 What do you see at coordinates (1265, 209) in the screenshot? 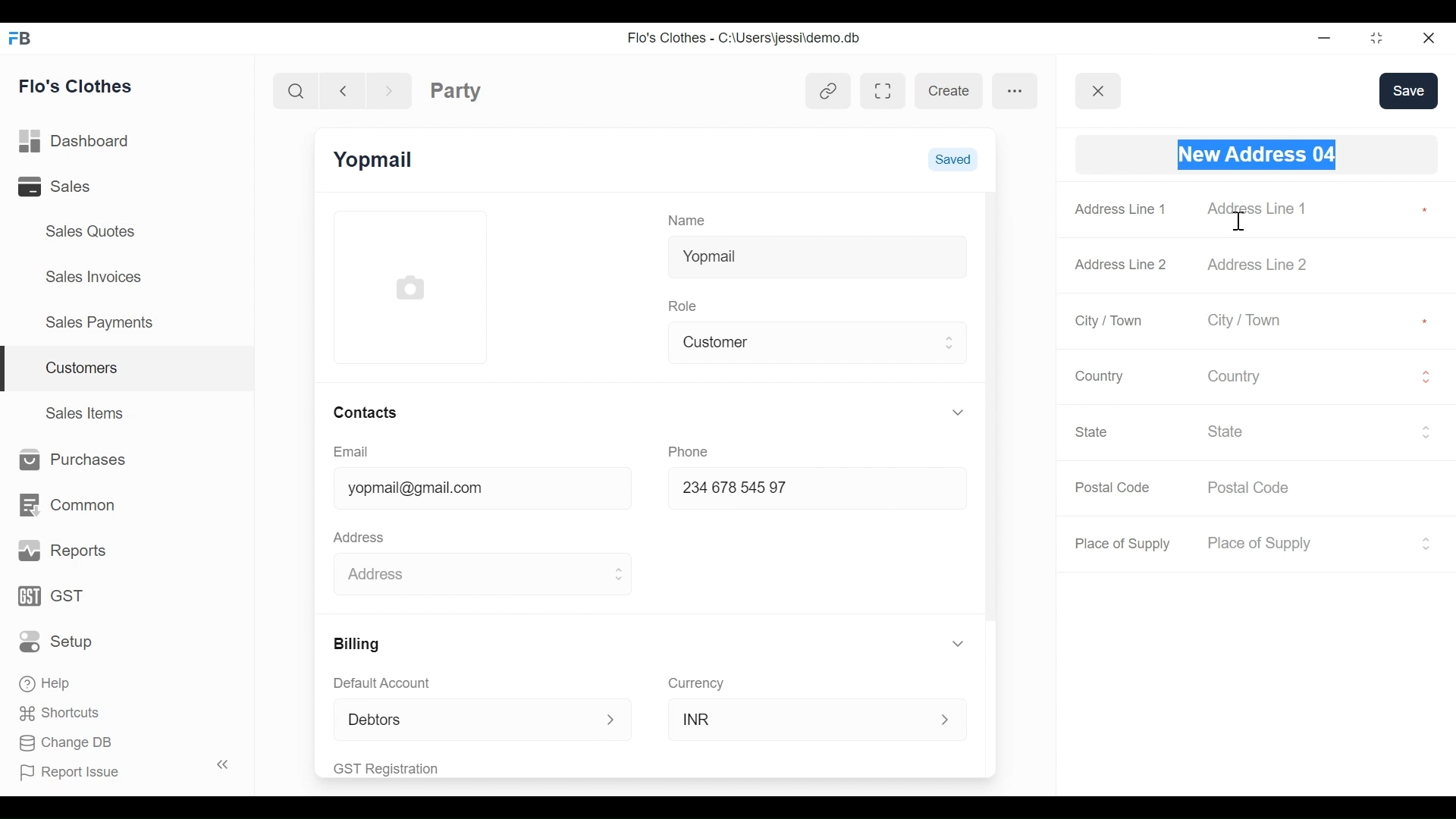
I see `Addsess Line 1` at bounding box center [1265, 209].